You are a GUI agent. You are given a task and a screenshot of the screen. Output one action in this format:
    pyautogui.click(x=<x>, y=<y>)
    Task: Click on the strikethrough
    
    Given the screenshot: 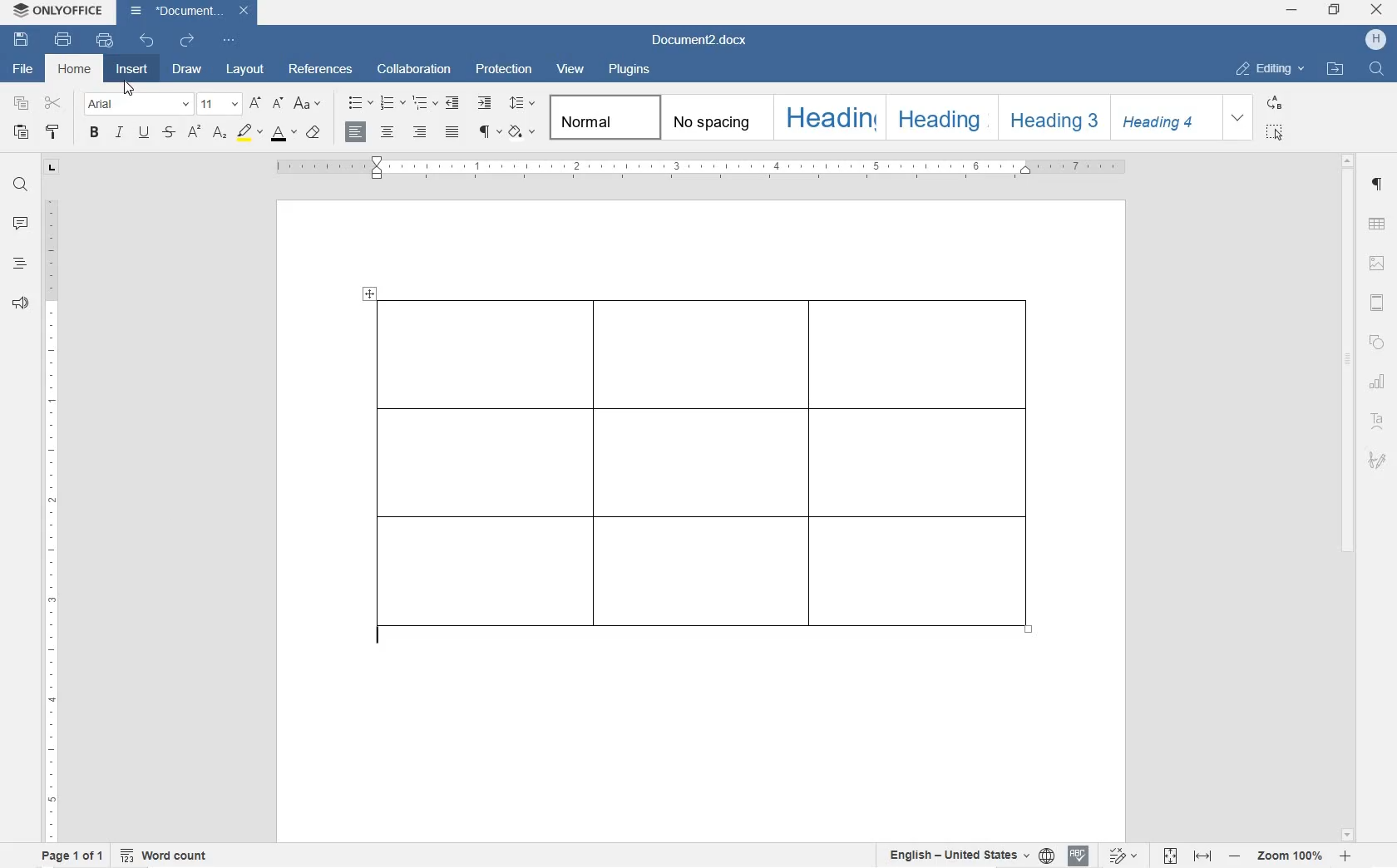 What is the action you would take?
    pyautogui.click(x=169, y=133)
    